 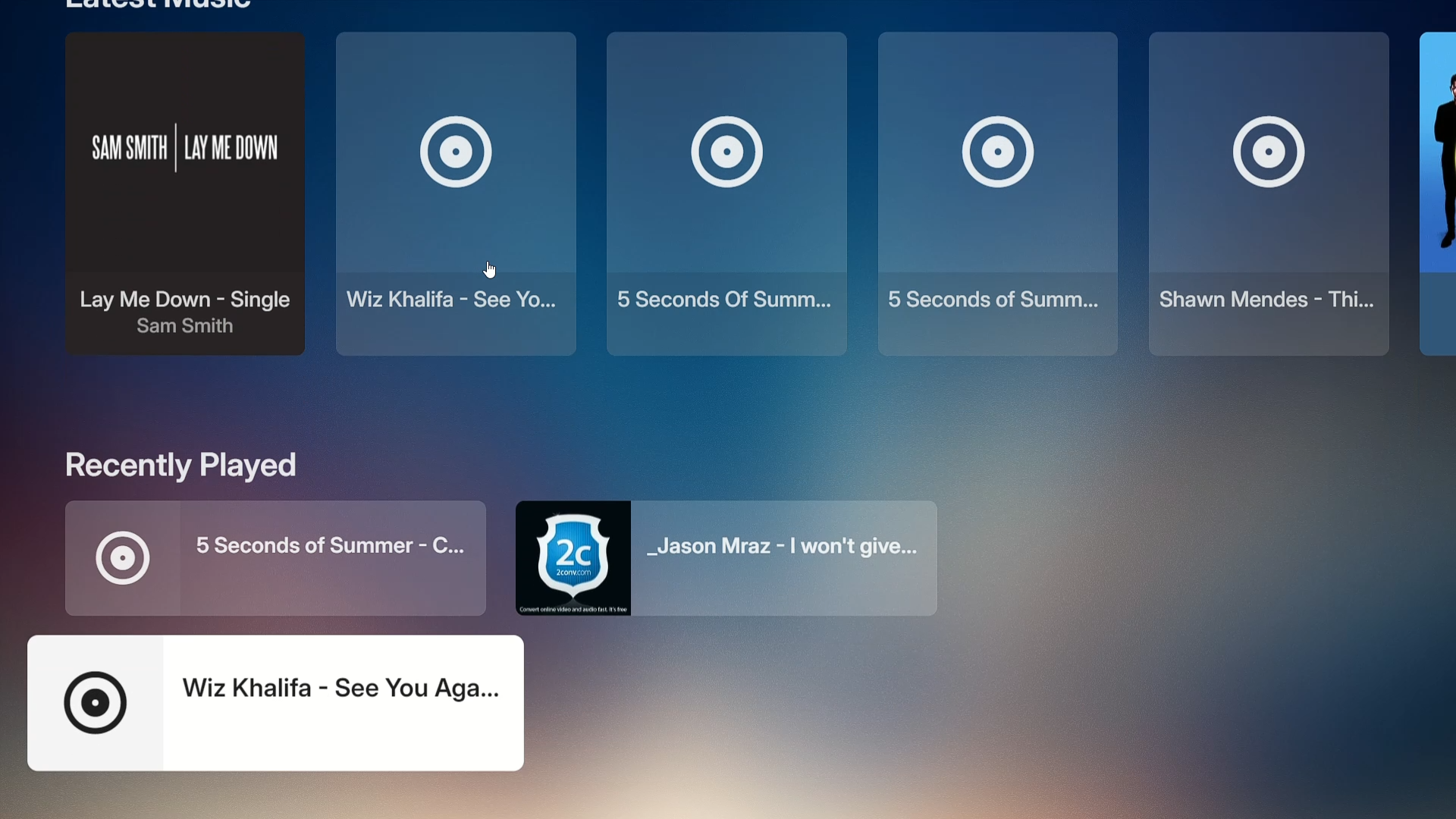 I want to click on Shawn Mendes, so click(x=1262, y=193).